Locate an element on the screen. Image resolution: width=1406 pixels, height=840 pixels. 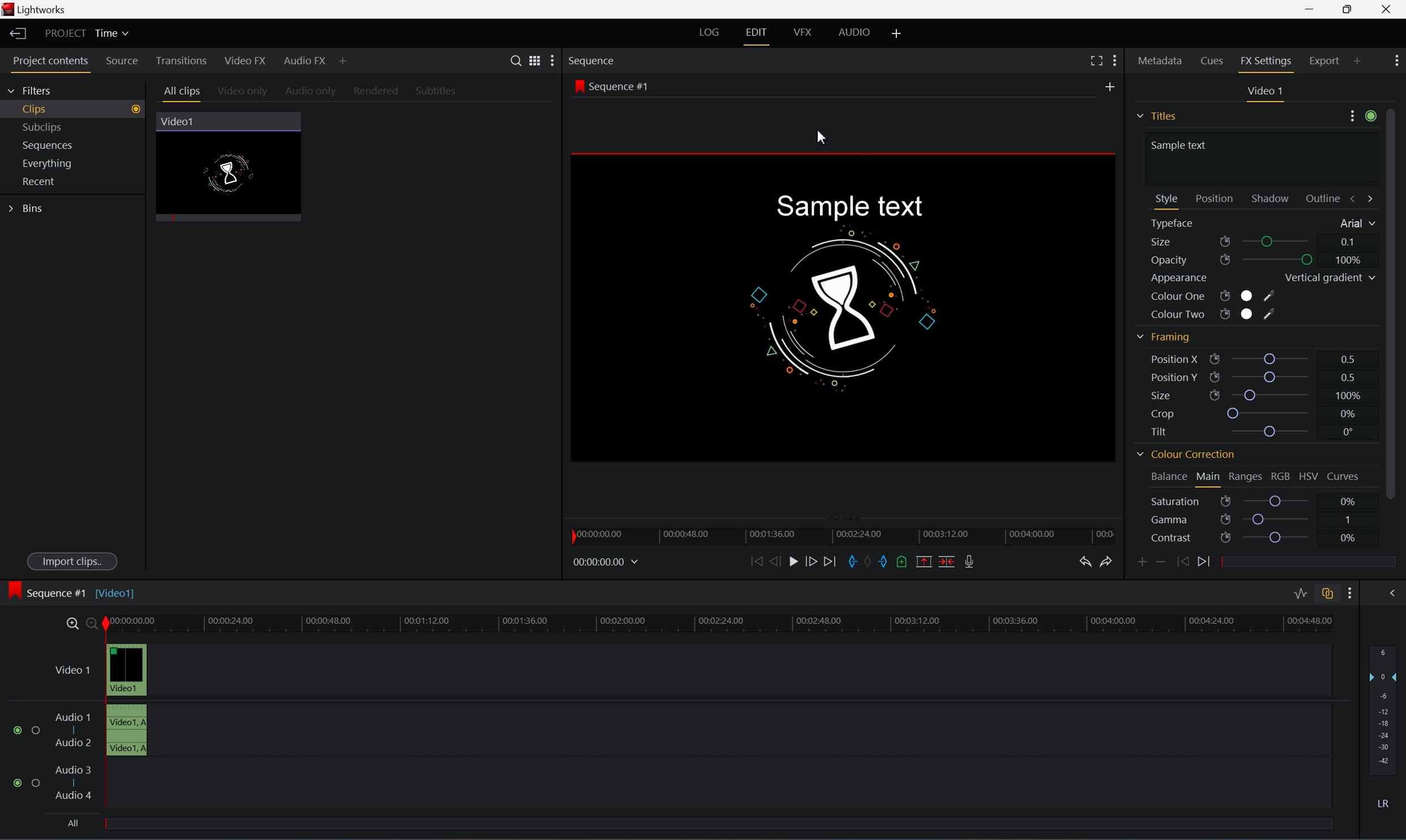
Find is located at coordinates (514, 59).